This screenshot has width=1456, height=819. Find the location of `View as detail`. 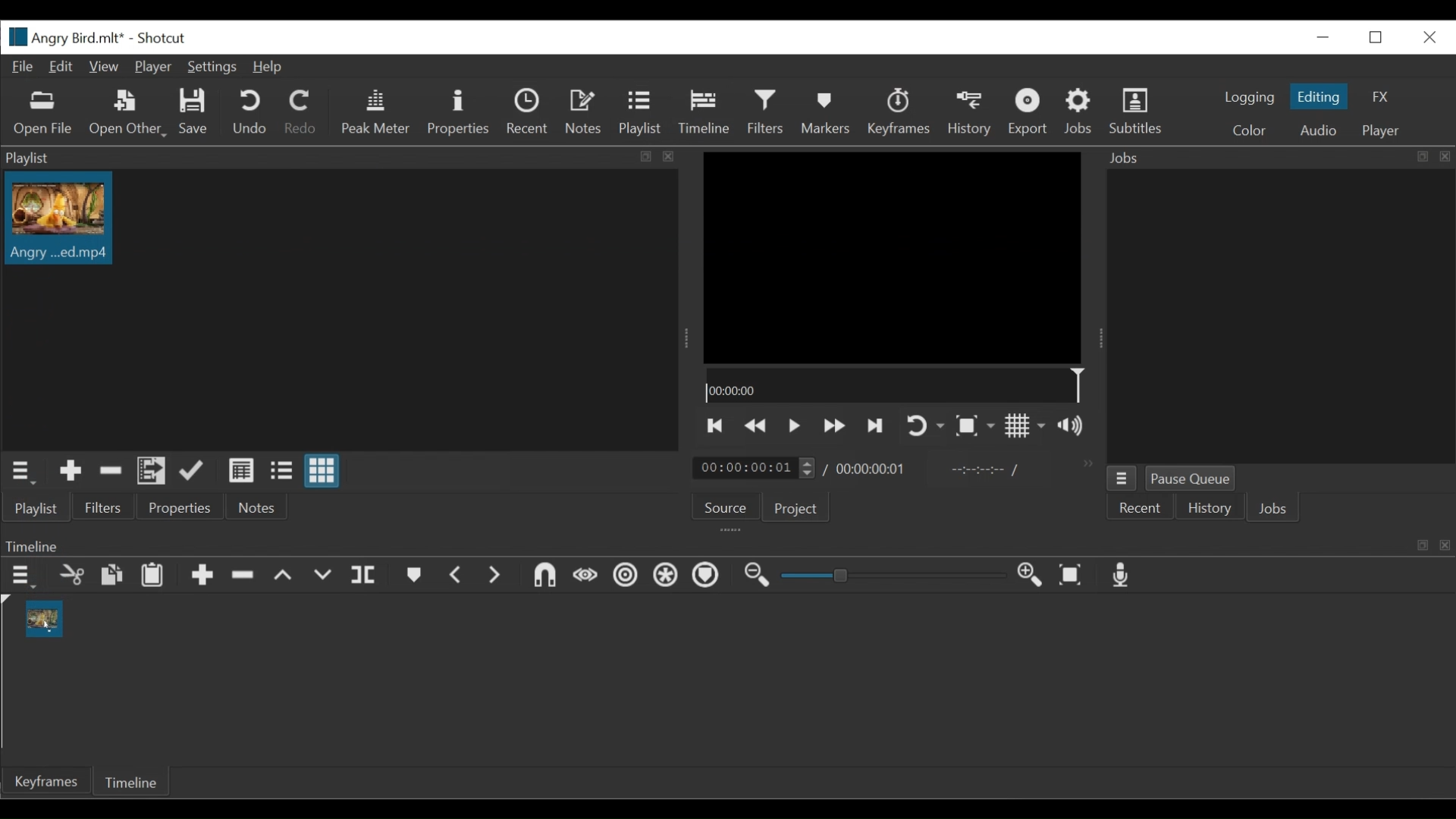

View as detail is located at coordinates (242, 472).